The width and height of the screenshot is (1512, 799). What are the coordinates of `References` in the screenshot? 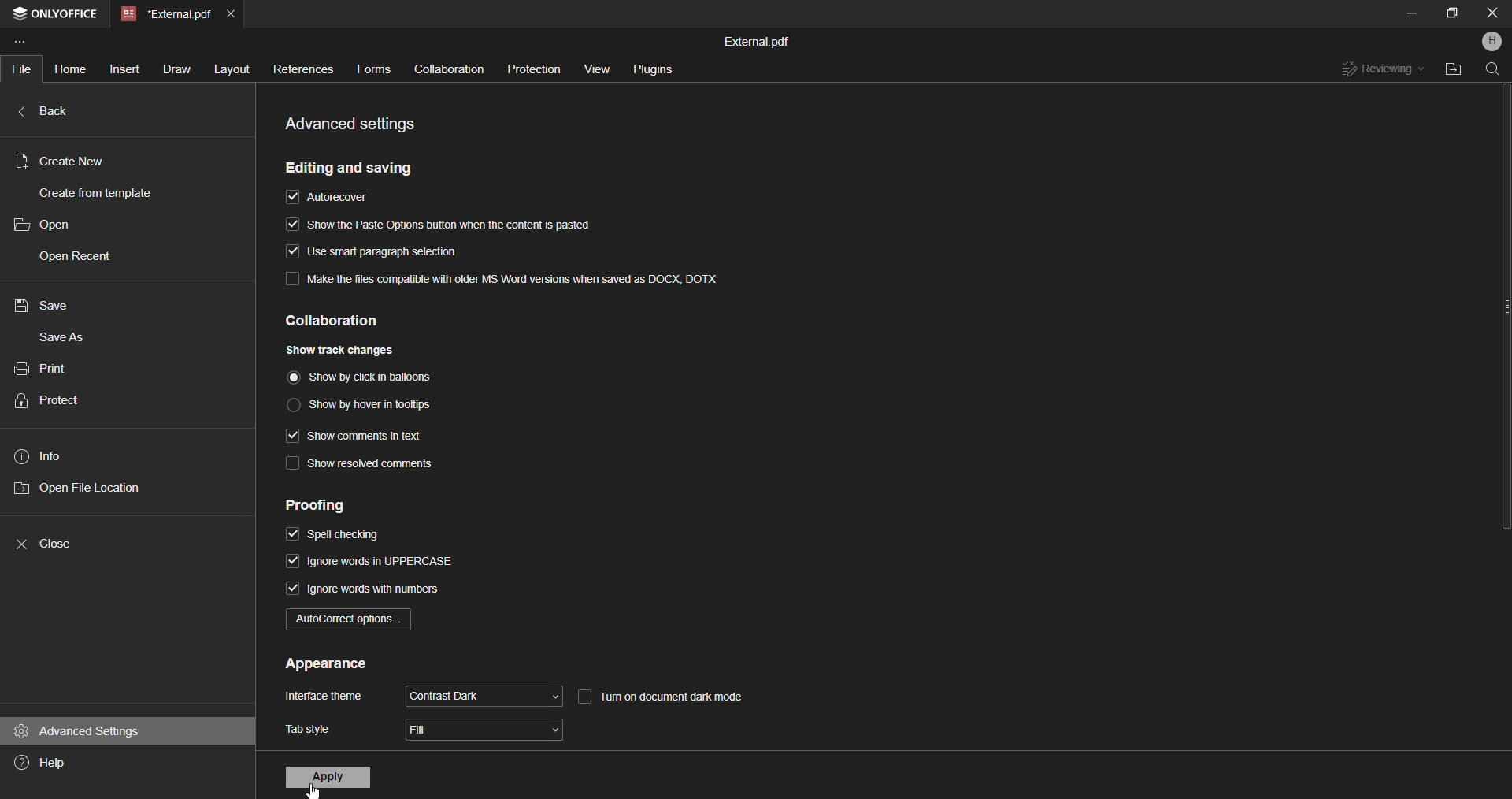 It's located at (299, 71).